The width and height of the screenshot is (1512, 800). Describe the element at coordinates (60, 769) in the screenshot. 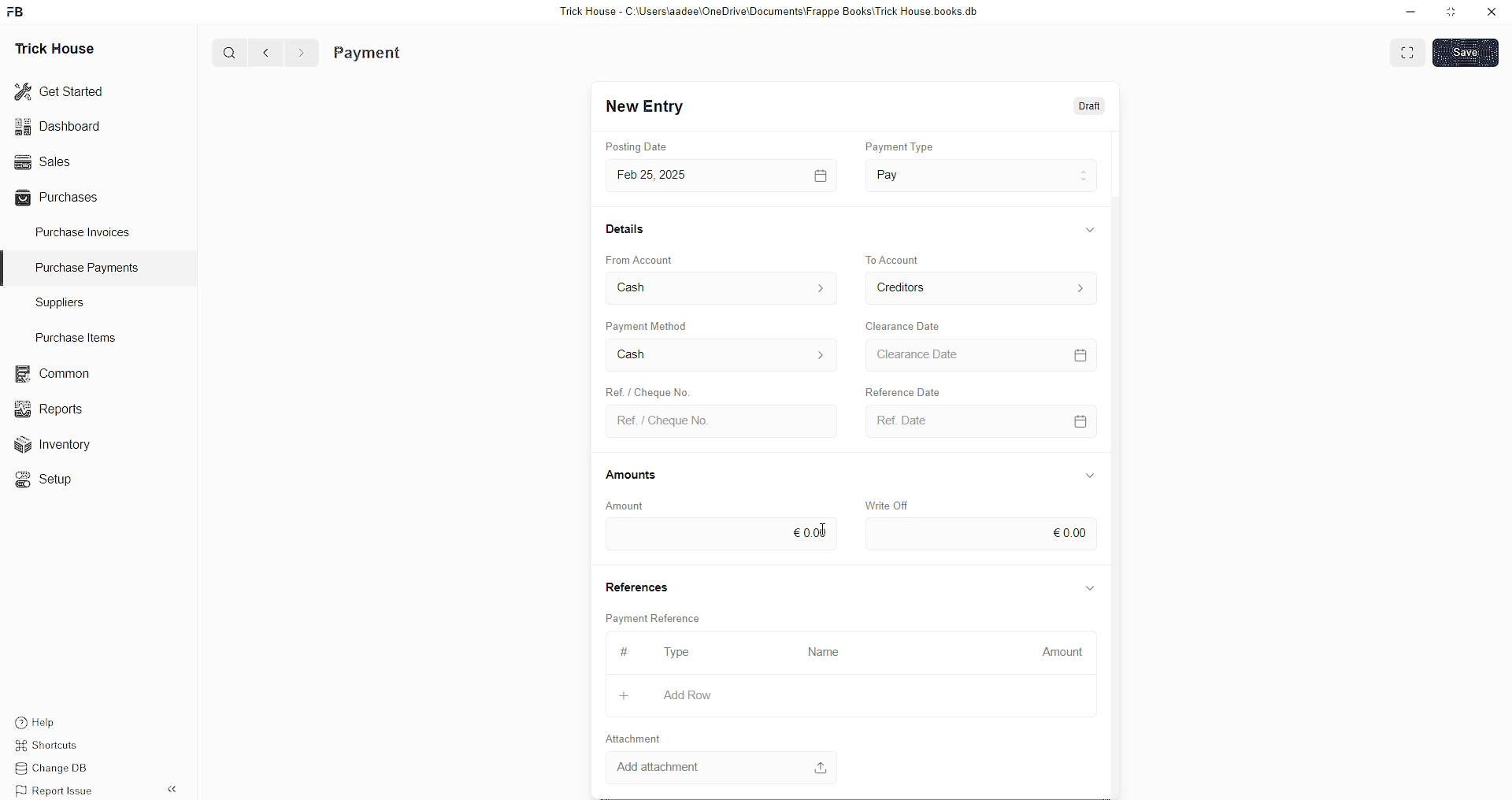

I see `Change DB` at that location.